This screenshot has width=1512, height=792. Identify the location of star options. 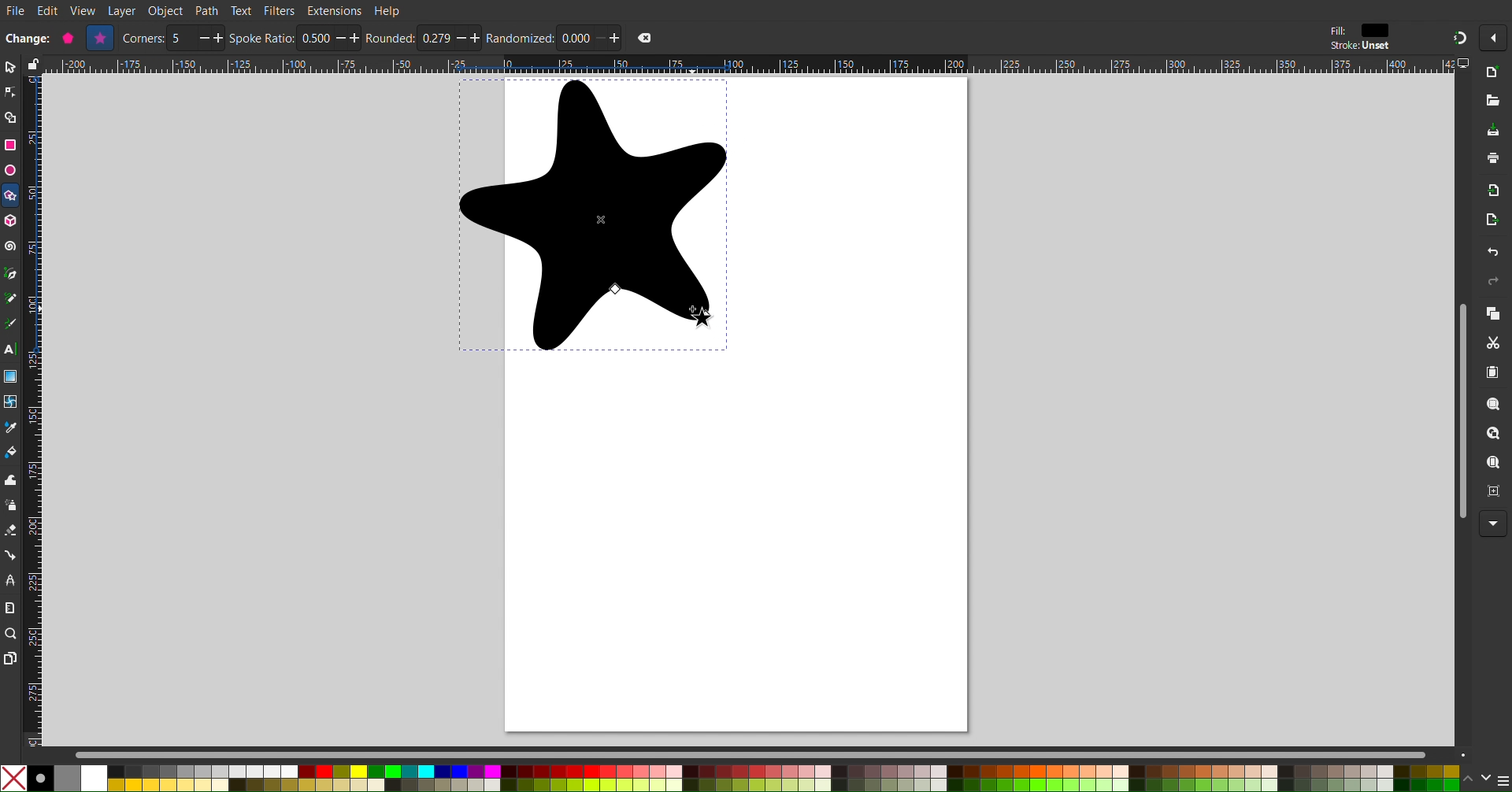
(101, 38).